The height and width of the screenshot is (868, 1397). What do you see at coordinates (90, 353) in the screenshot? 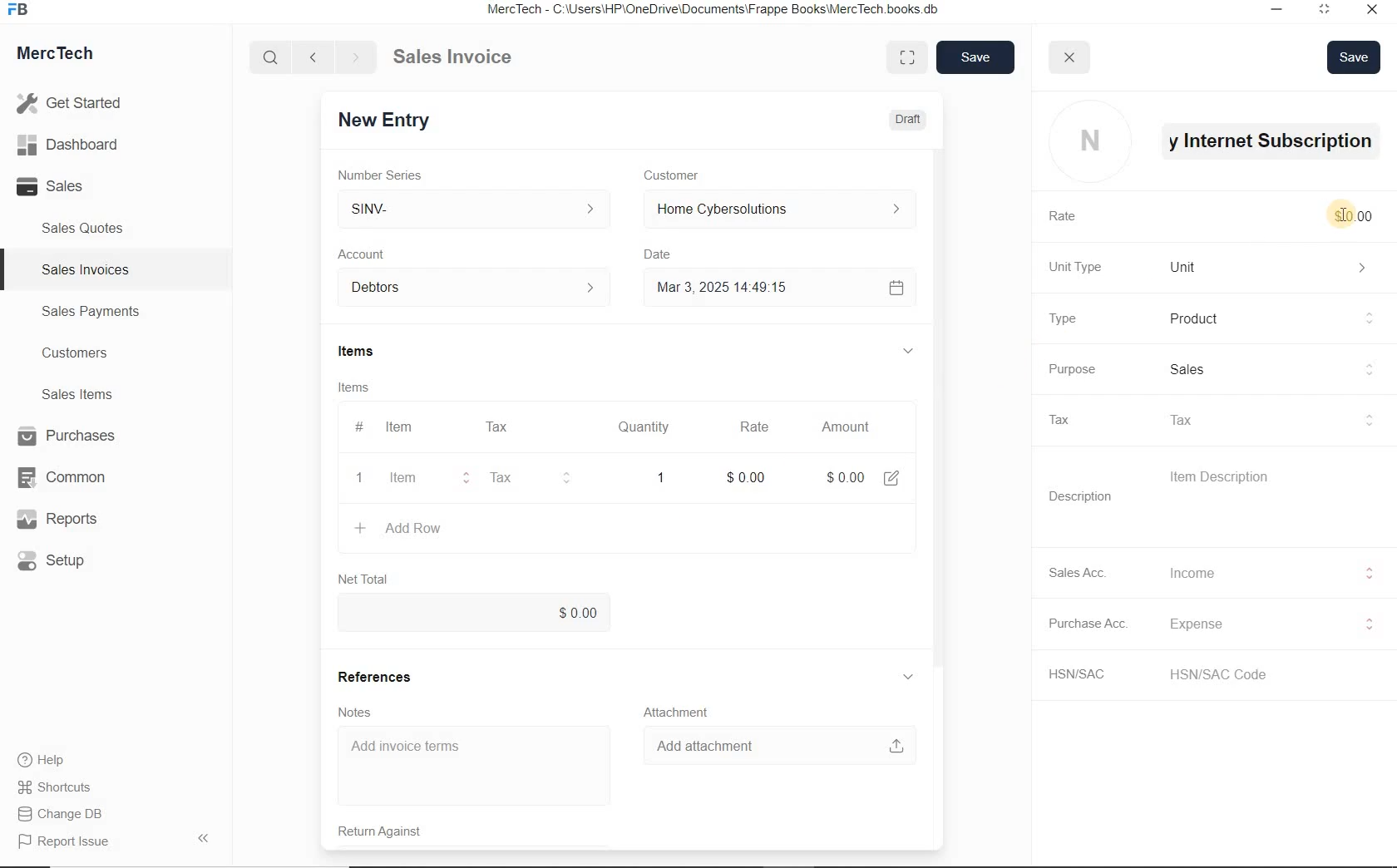
I see `Customers` at bounding box center [90, 353].